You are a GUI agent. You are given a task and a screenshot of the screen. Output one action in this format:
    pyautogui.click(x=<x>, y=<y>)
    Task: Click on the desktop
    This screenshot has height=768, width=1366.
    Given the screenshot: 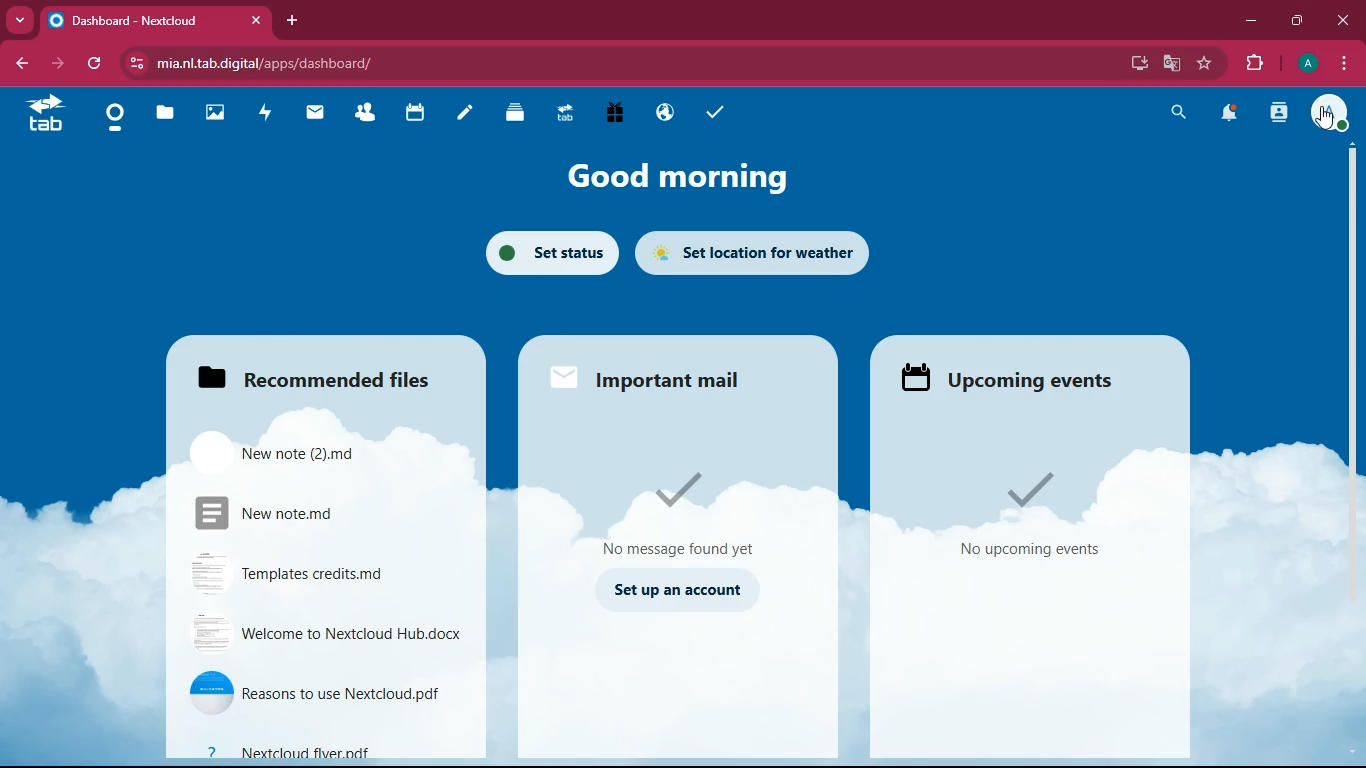 What is the action you would take?
    pyautogui.click(x=1140, y=62)
    